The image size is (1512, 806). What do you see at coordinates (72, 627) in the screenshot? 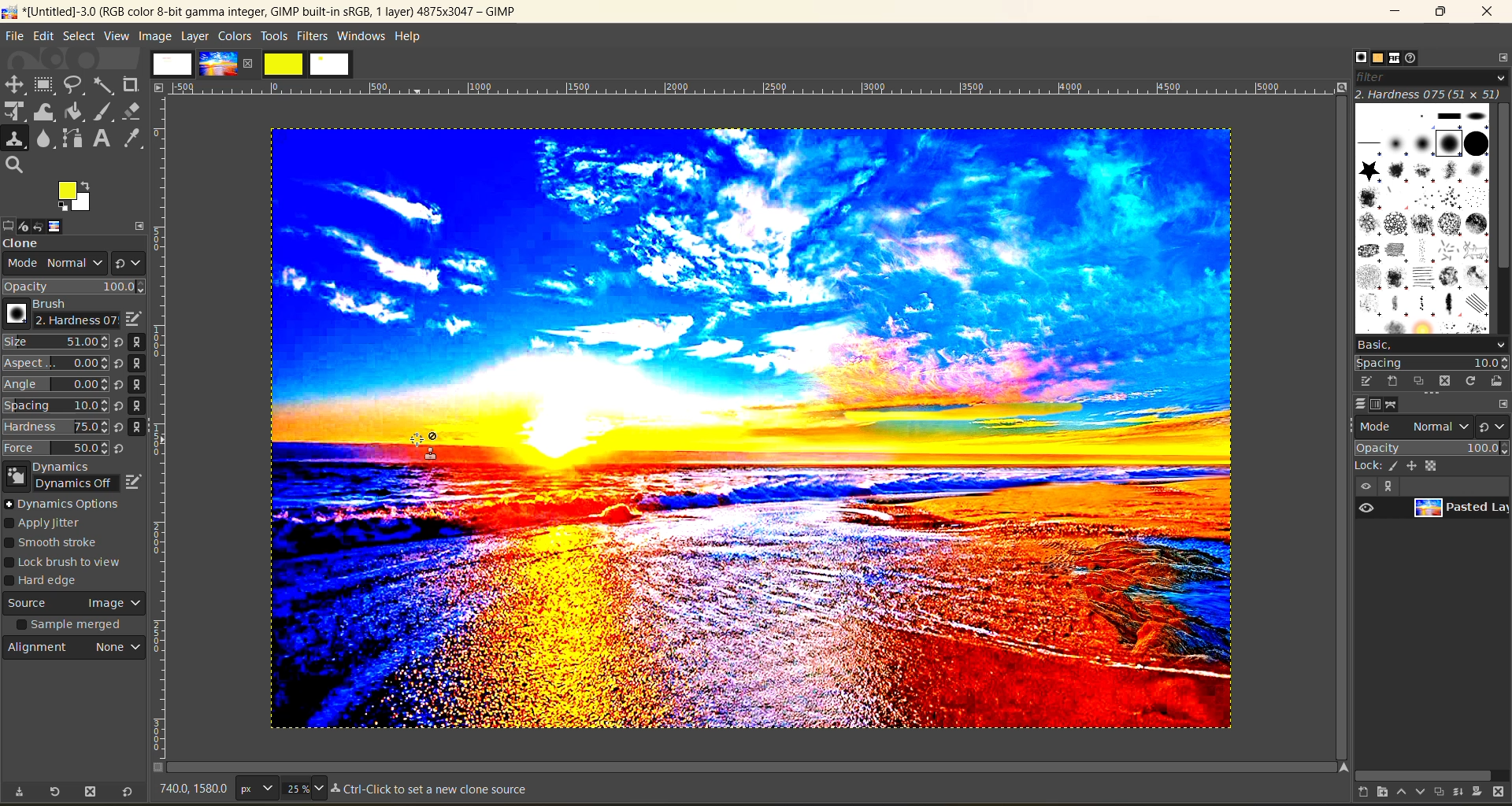
I see `sample merged` at bounding box center [72, 627].